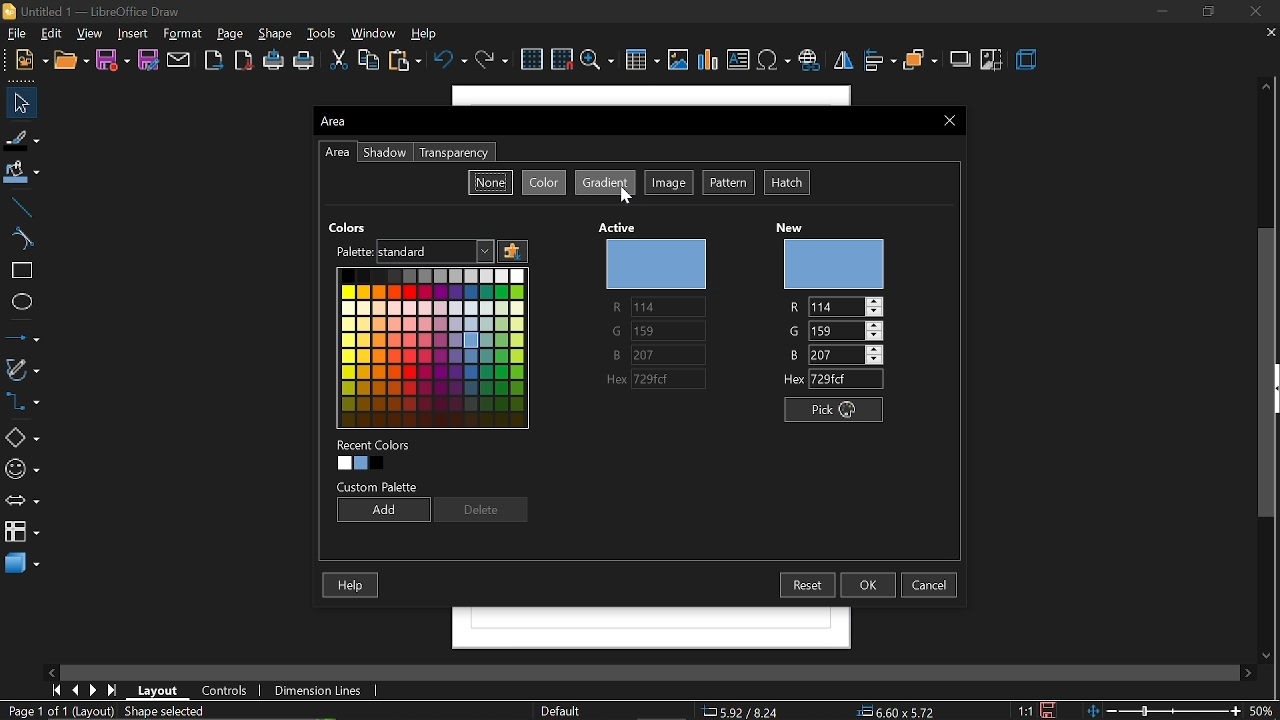 This screenshot has height=720, width=1280. Describe the element at coordinates (709, 61) in the screenshot. I see `Insert chart` at that location.